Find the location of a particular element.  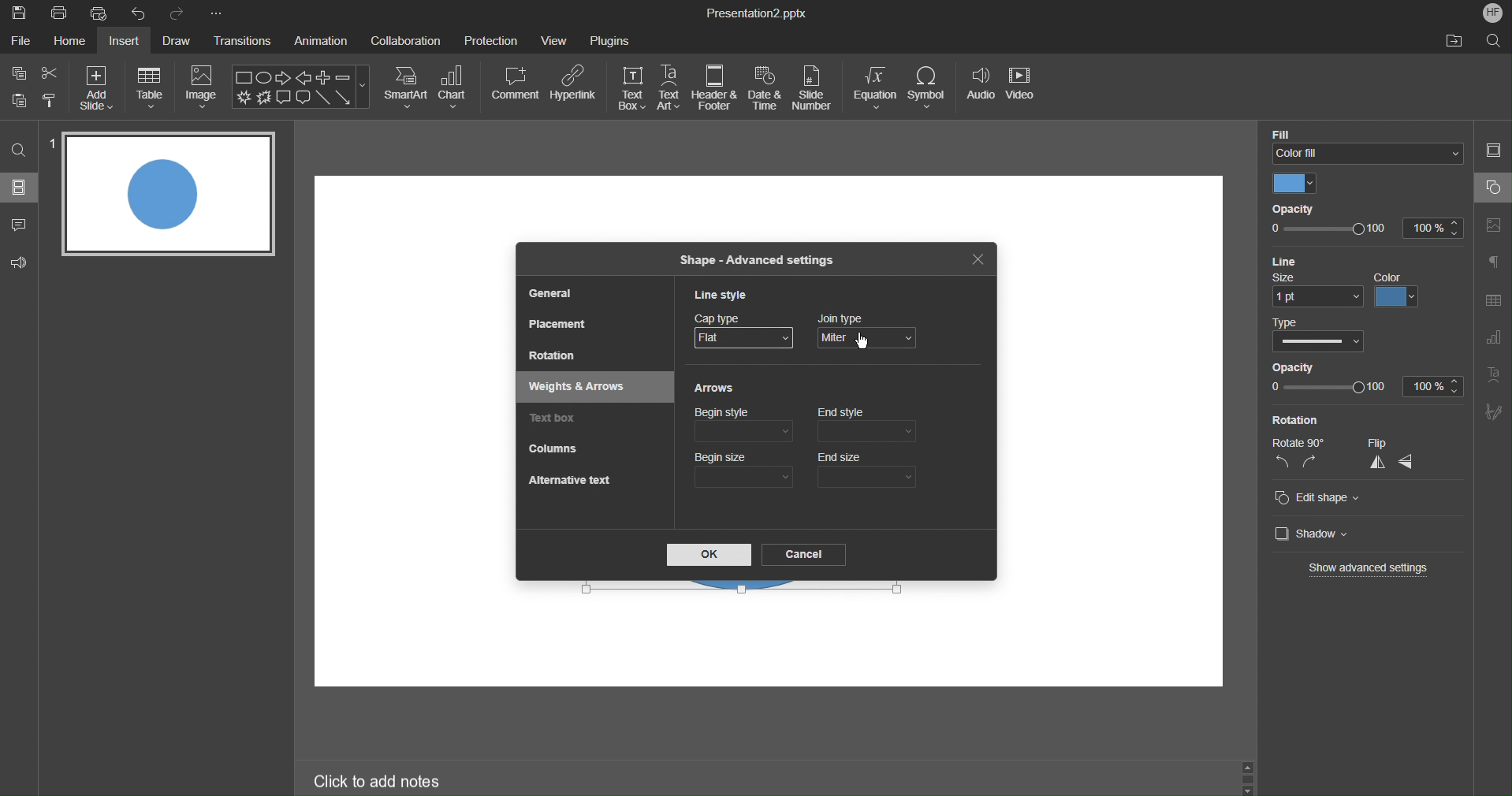

Sildes is located at coordinates (20, 187).